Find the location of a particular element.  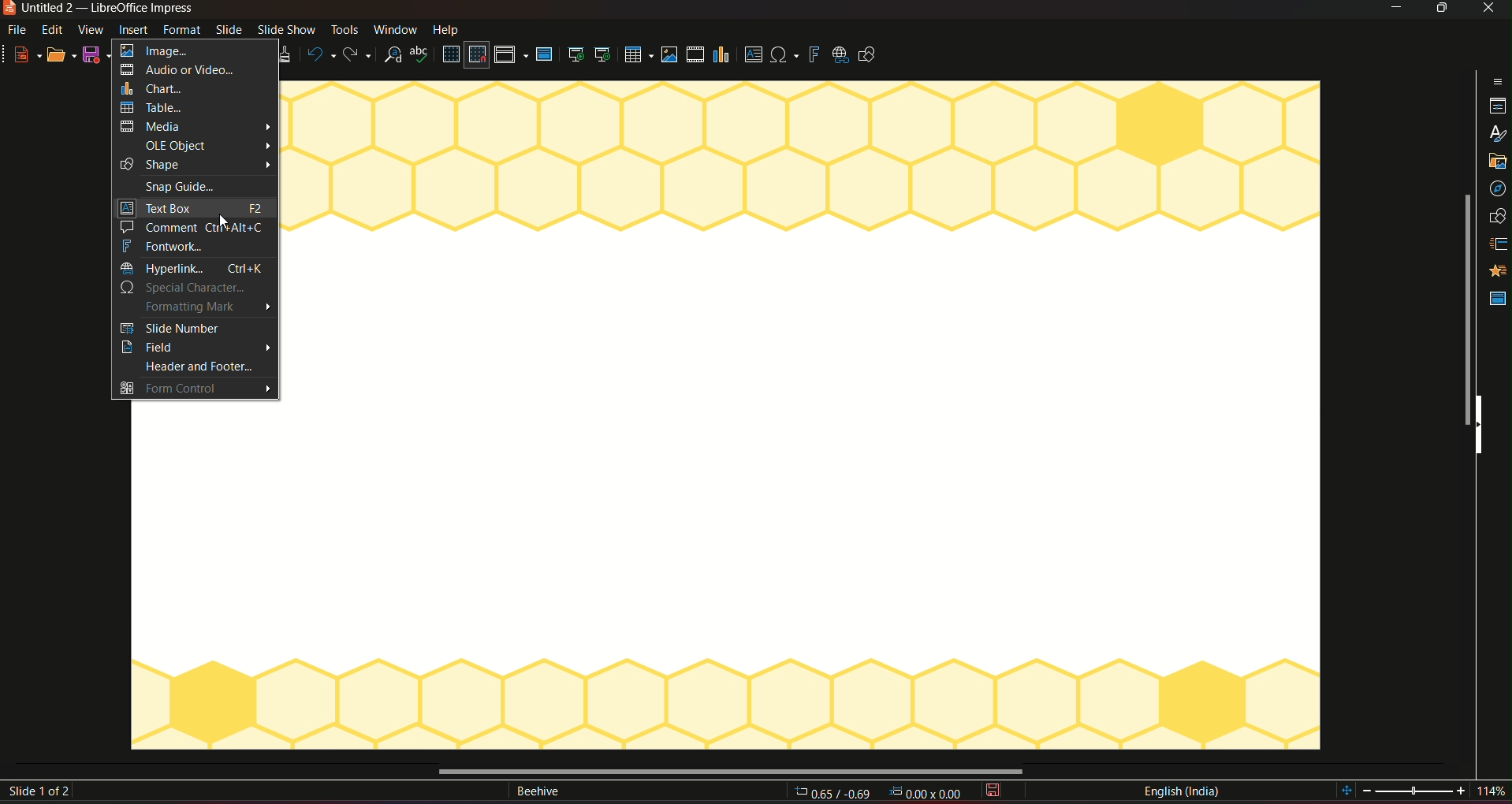

insert audio/video is located at coordinates (695, 55).